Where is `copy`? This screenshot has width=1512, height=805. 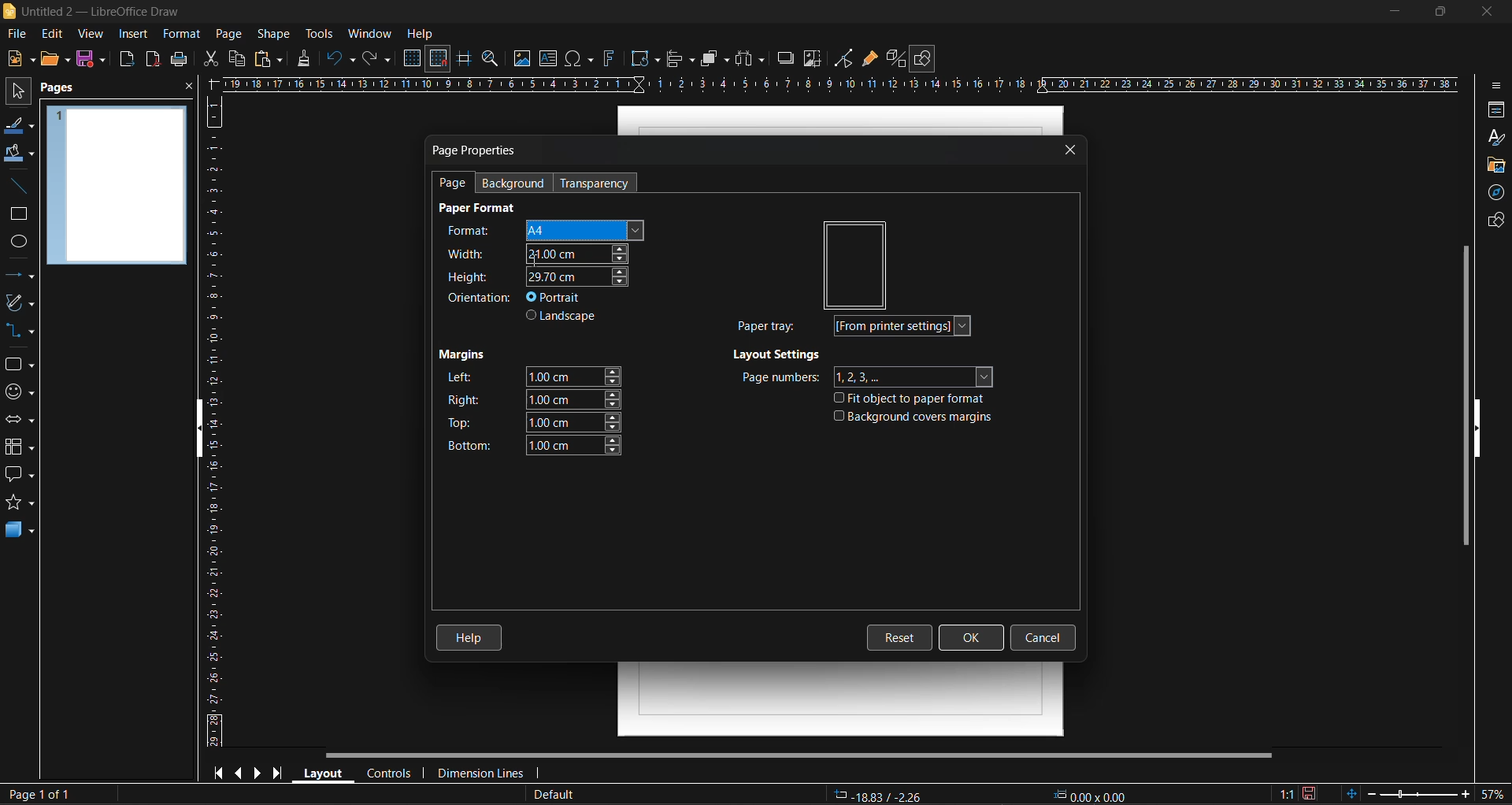
copy is located at coordinates (236, 59).